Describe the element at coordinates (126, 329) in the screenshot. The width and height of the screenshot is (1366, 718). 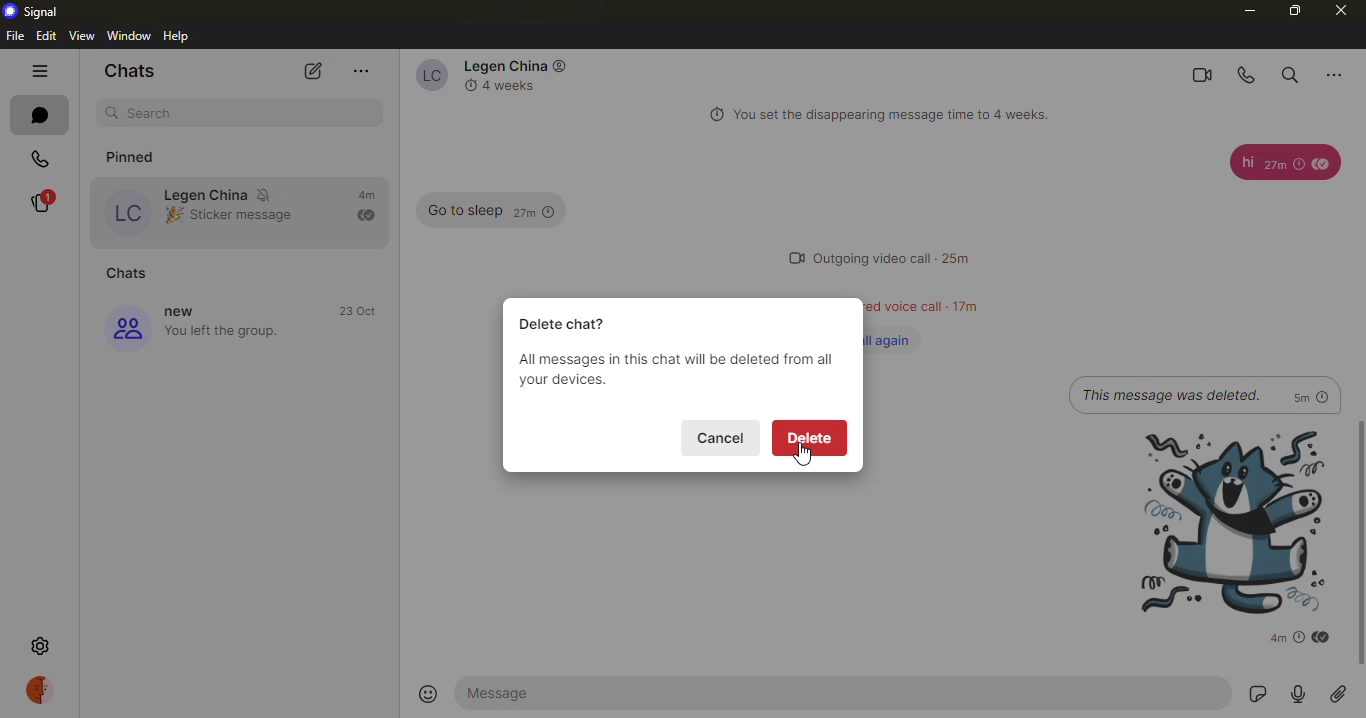
I see `profile` at that location.